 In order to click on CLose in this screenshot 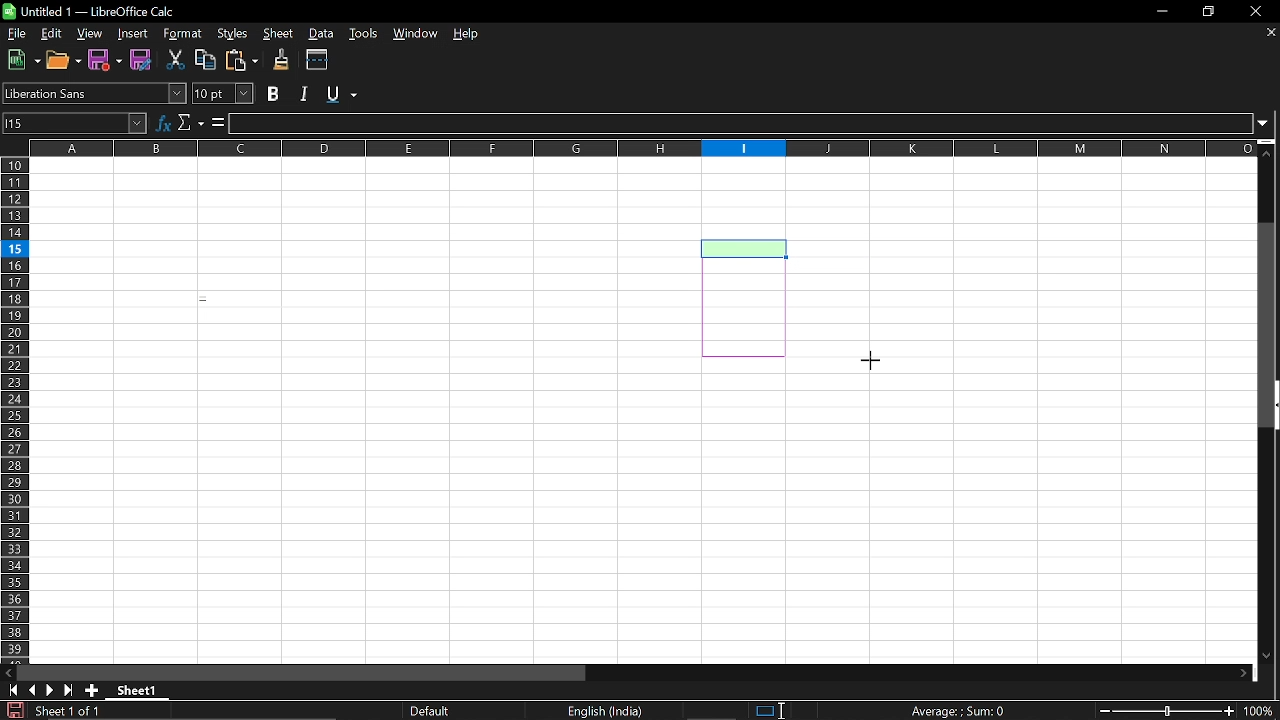, I will do `click(1255, 11)`.